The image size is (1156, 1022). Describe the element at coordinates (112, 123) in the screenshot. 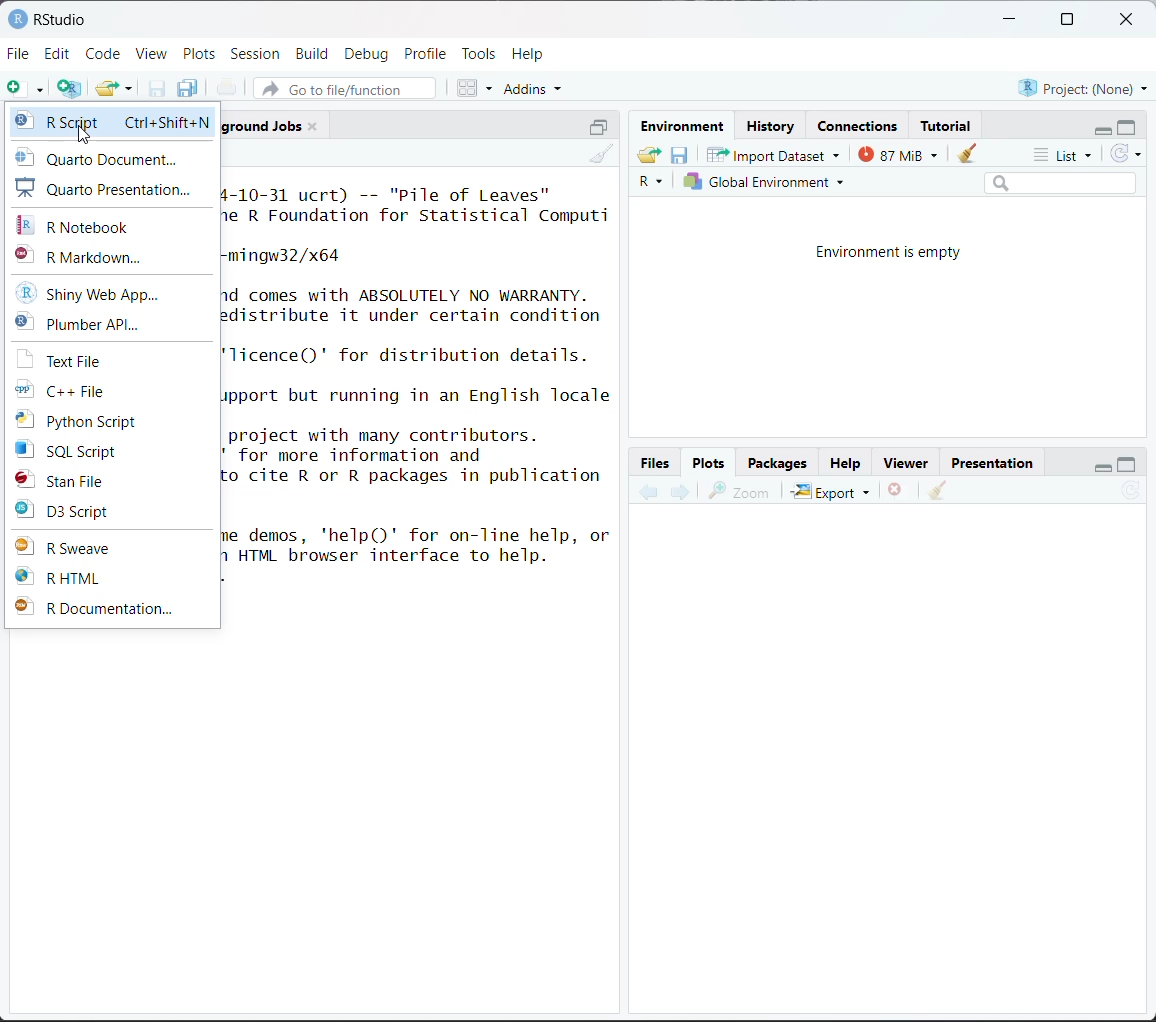

I see `R script  Ctrl+Shift+N` at that location.